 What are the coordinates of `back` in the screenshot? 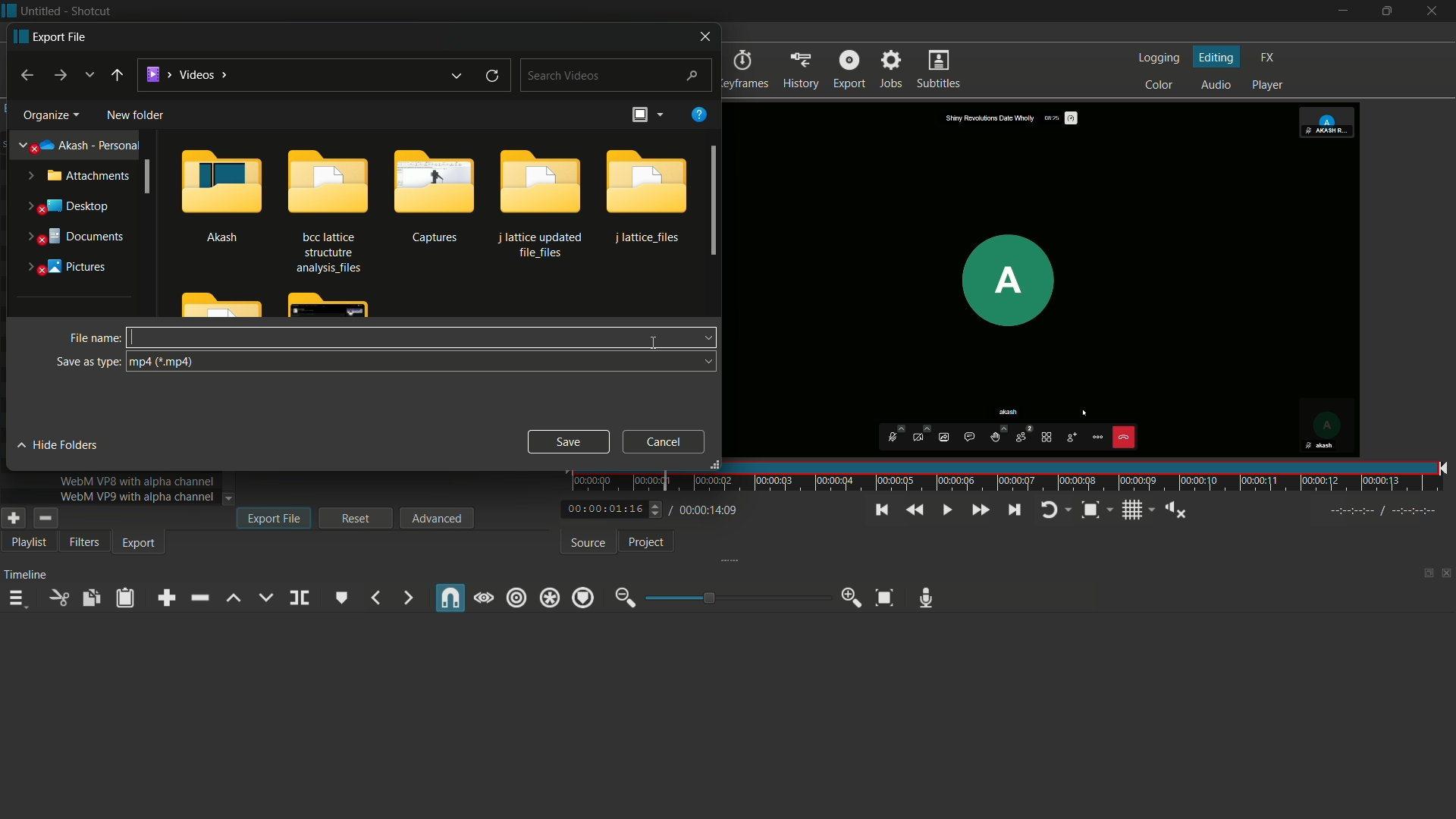 It's located at (116, 78).